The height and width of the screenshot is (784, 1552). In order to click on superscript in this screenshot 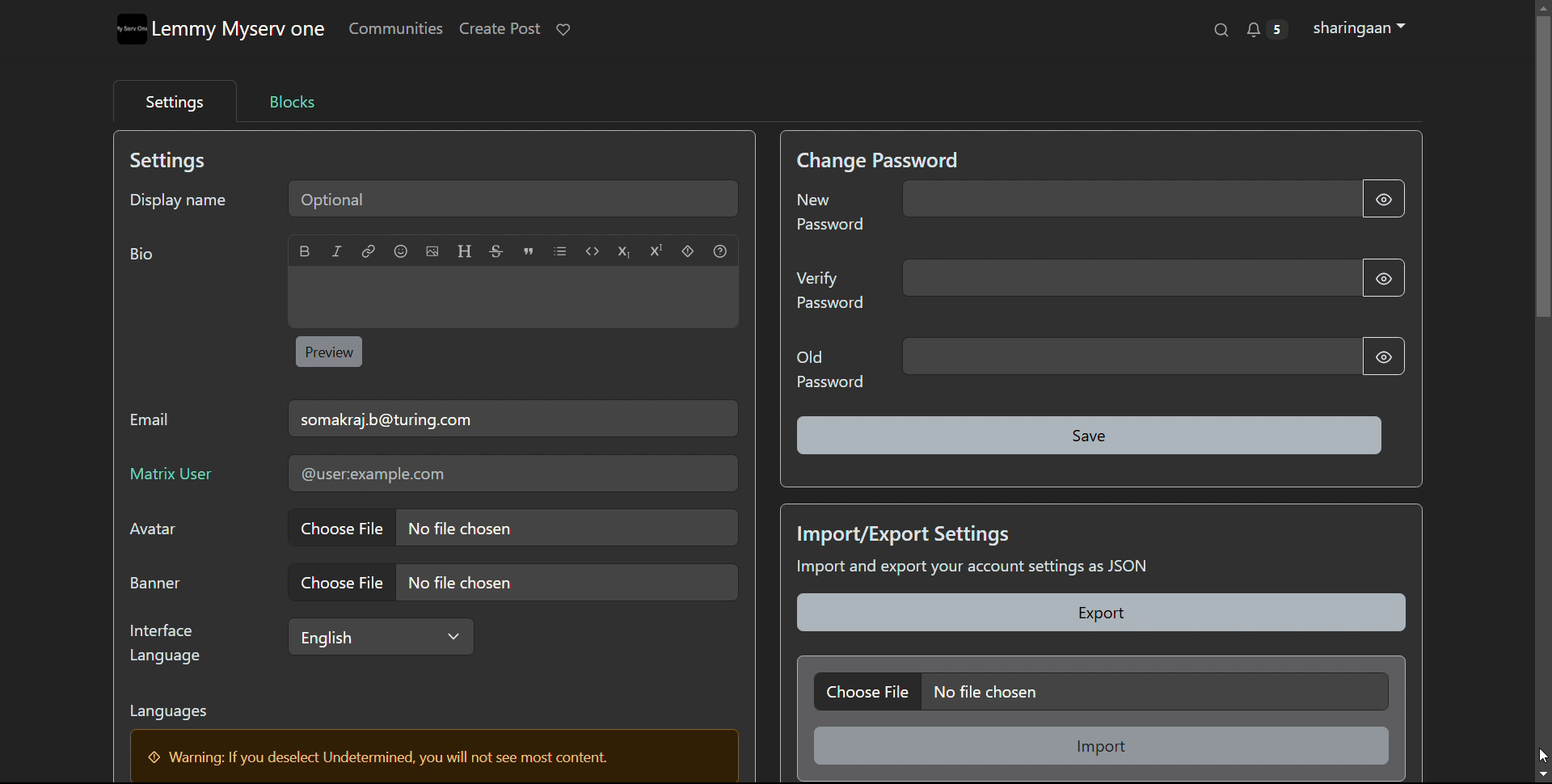, I will do `click(656, 251)`.